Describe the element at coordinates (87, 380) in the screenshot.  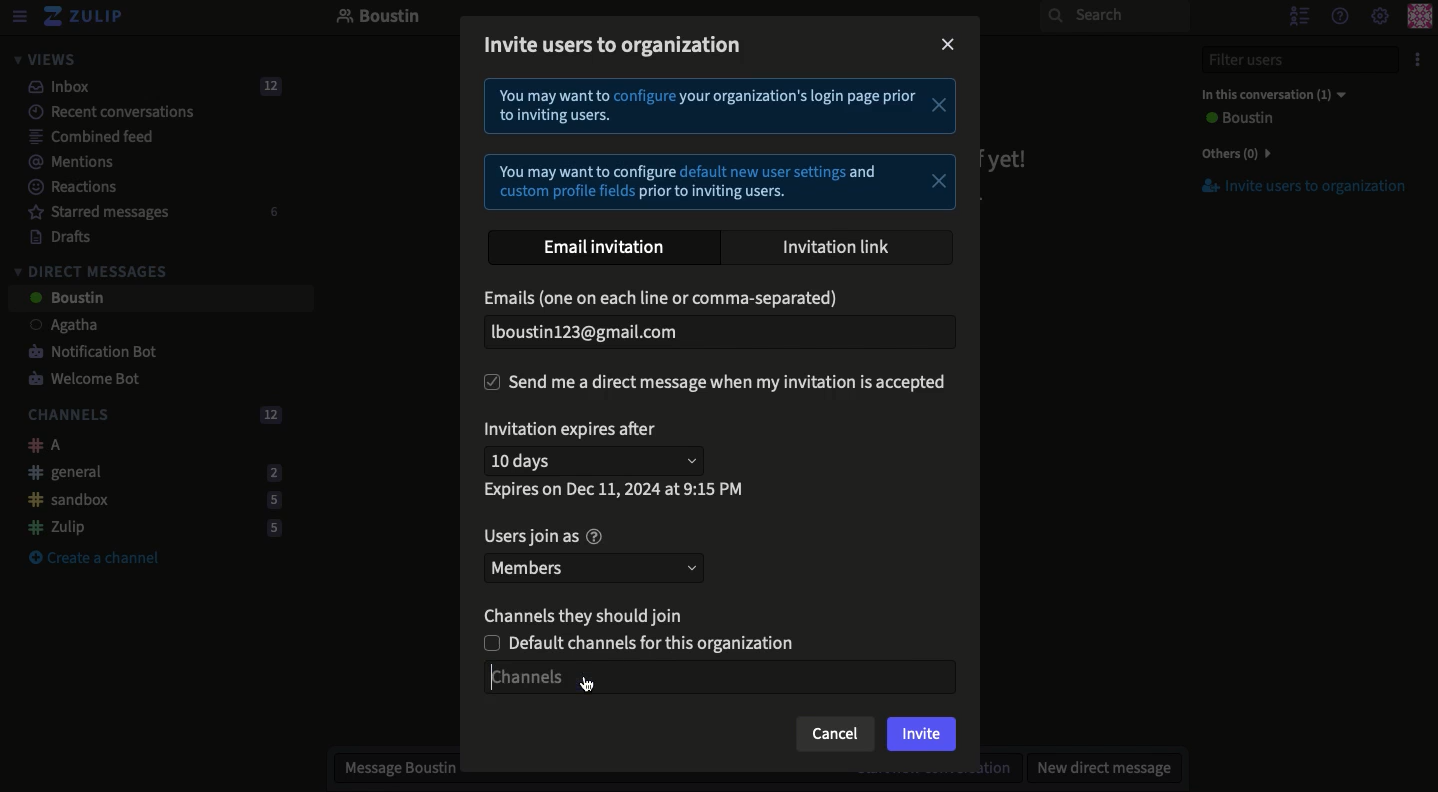
I see `Welcome bot` at that location.